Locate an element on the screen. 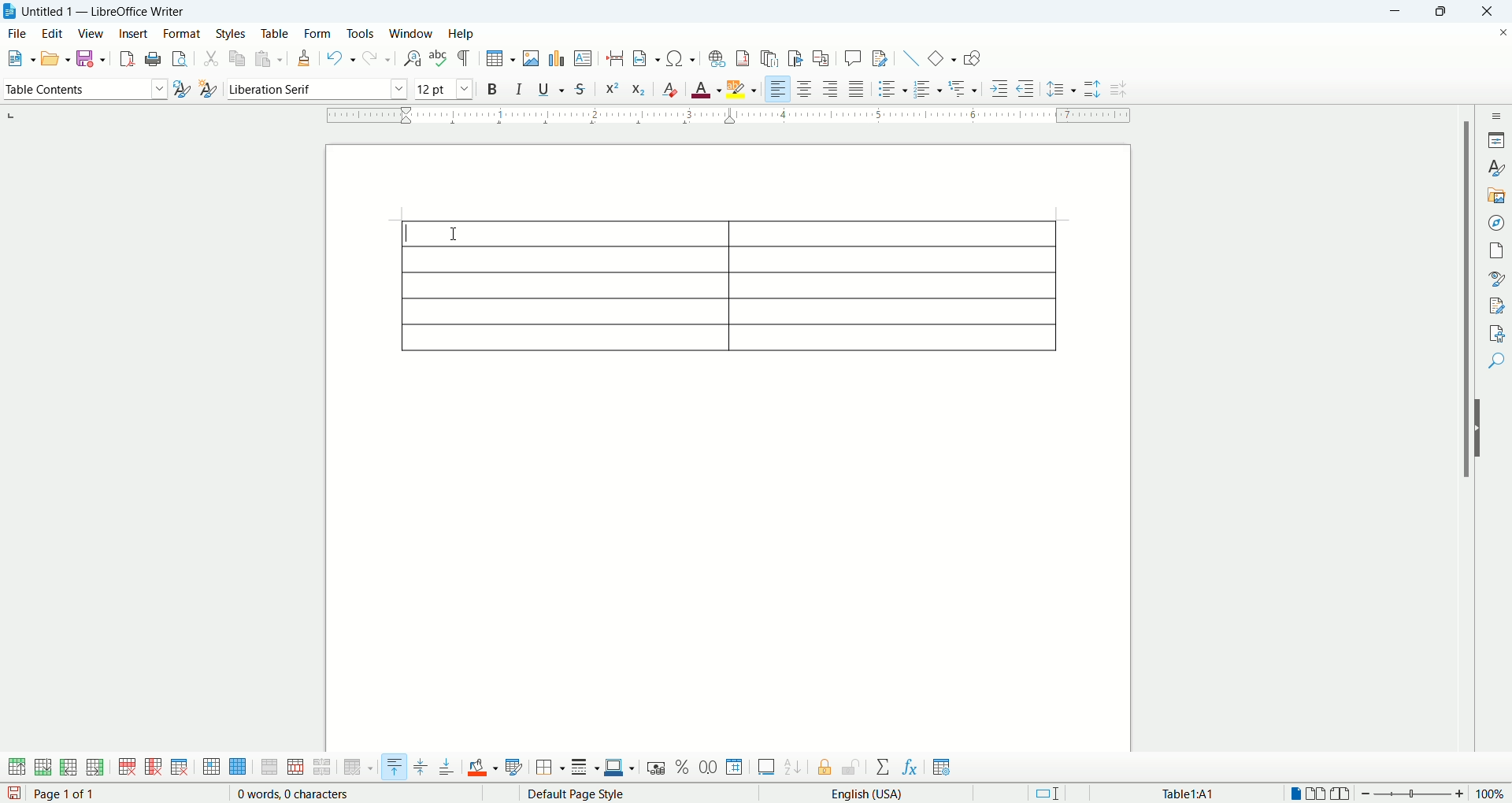  insert column before is located at coordinates (70, 766).